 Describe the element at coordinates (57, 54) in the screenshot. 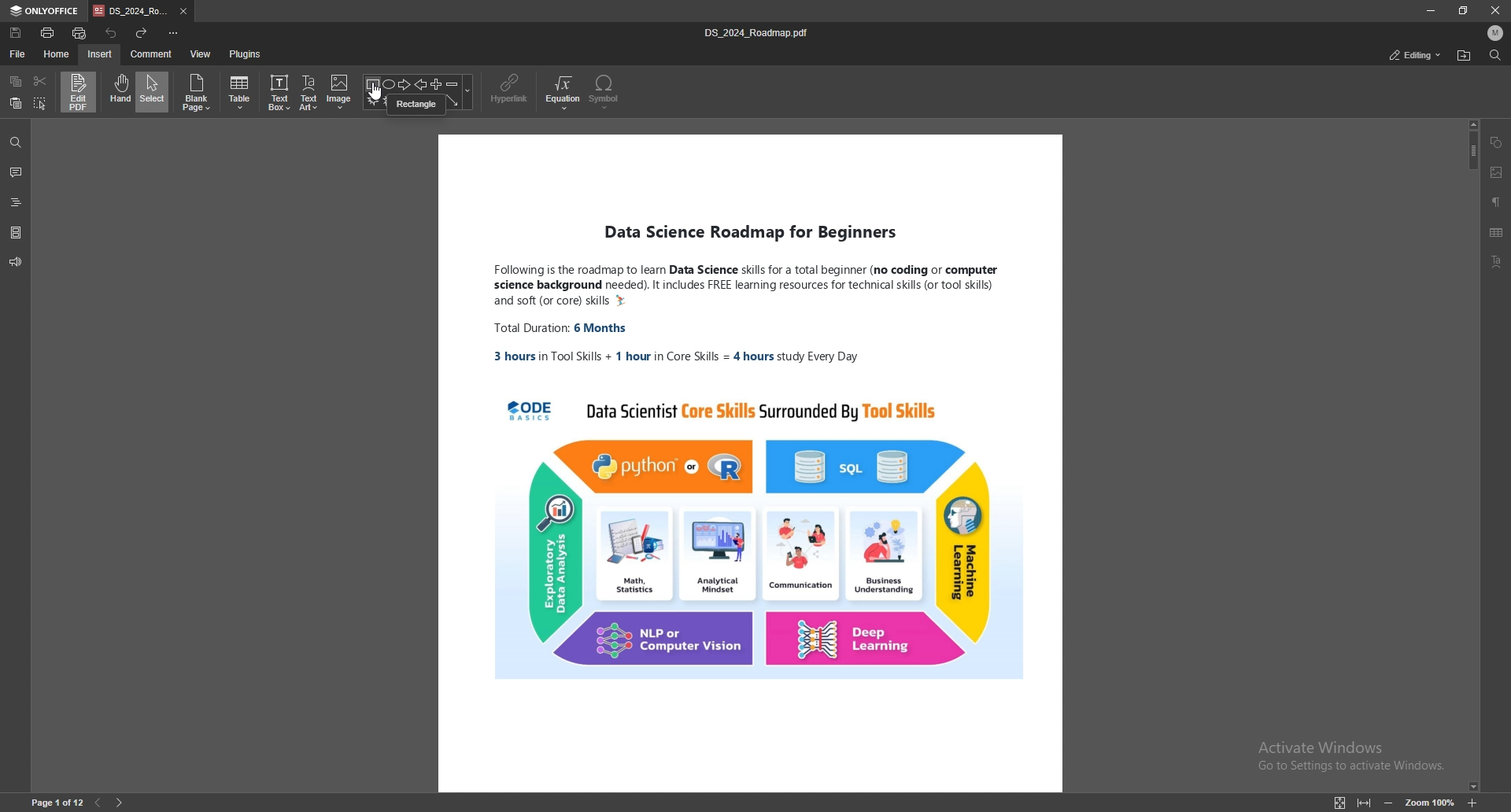

I see `home` at that location.